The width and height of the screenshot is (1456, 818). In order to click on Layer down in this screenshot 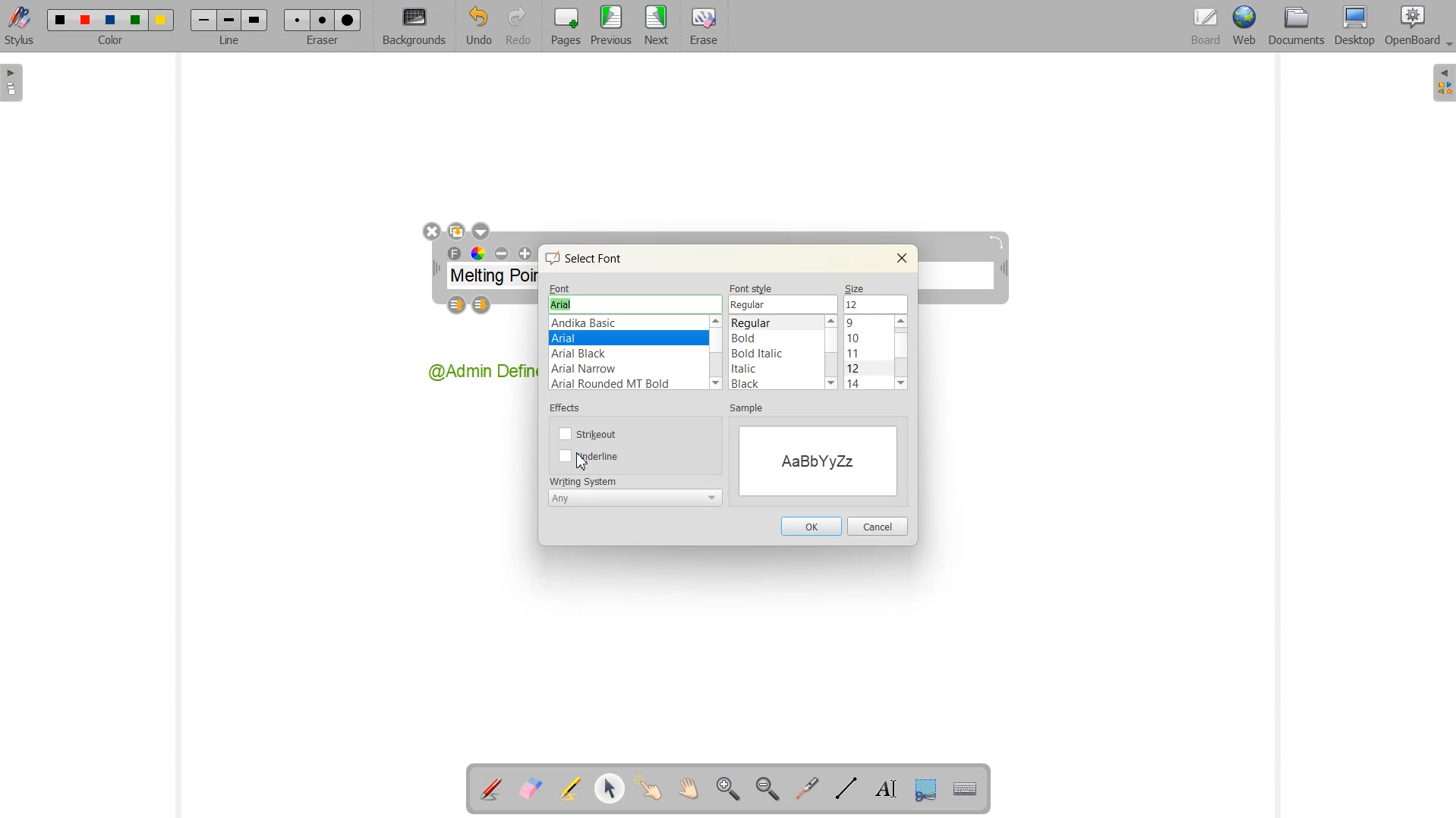, I will do `click(482, 306)`.